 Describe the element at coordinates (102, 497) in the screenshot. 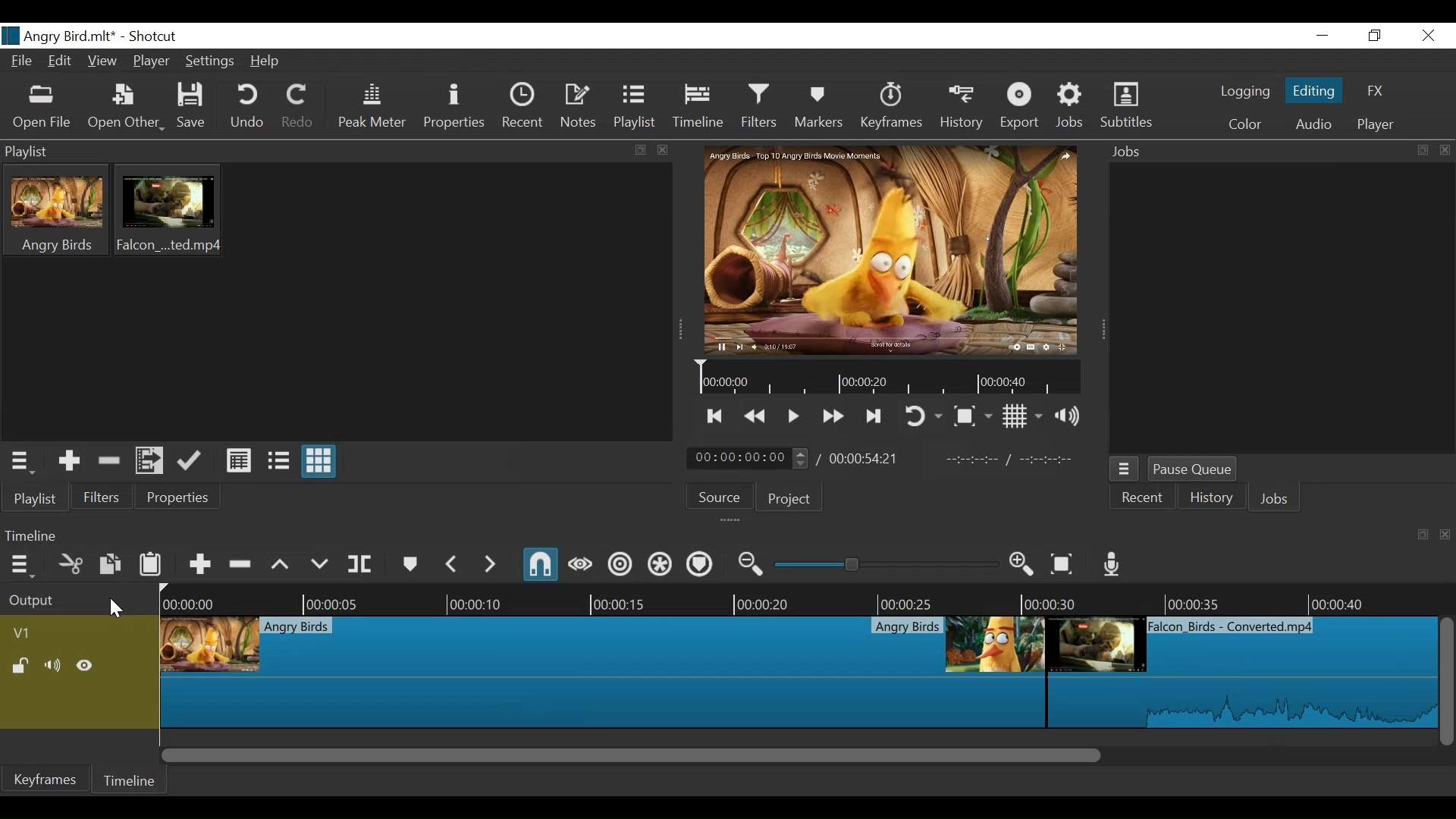

I see `Filter` at that location.